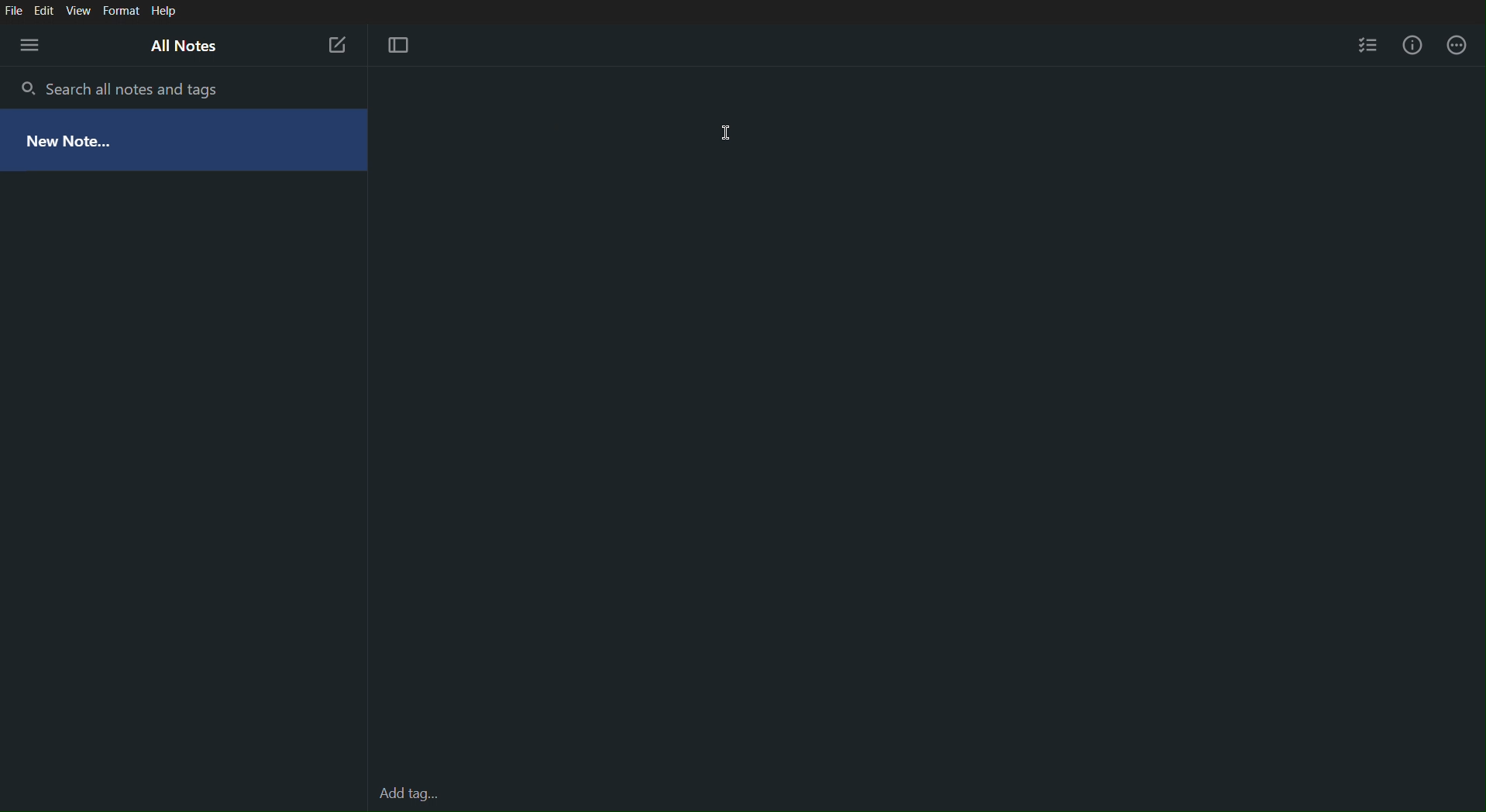 This screenshot has height=812, width=1486. What do you see at coordinates (120, 12) in the screenshot?
I see `Format` at bounding box center [120, 12].